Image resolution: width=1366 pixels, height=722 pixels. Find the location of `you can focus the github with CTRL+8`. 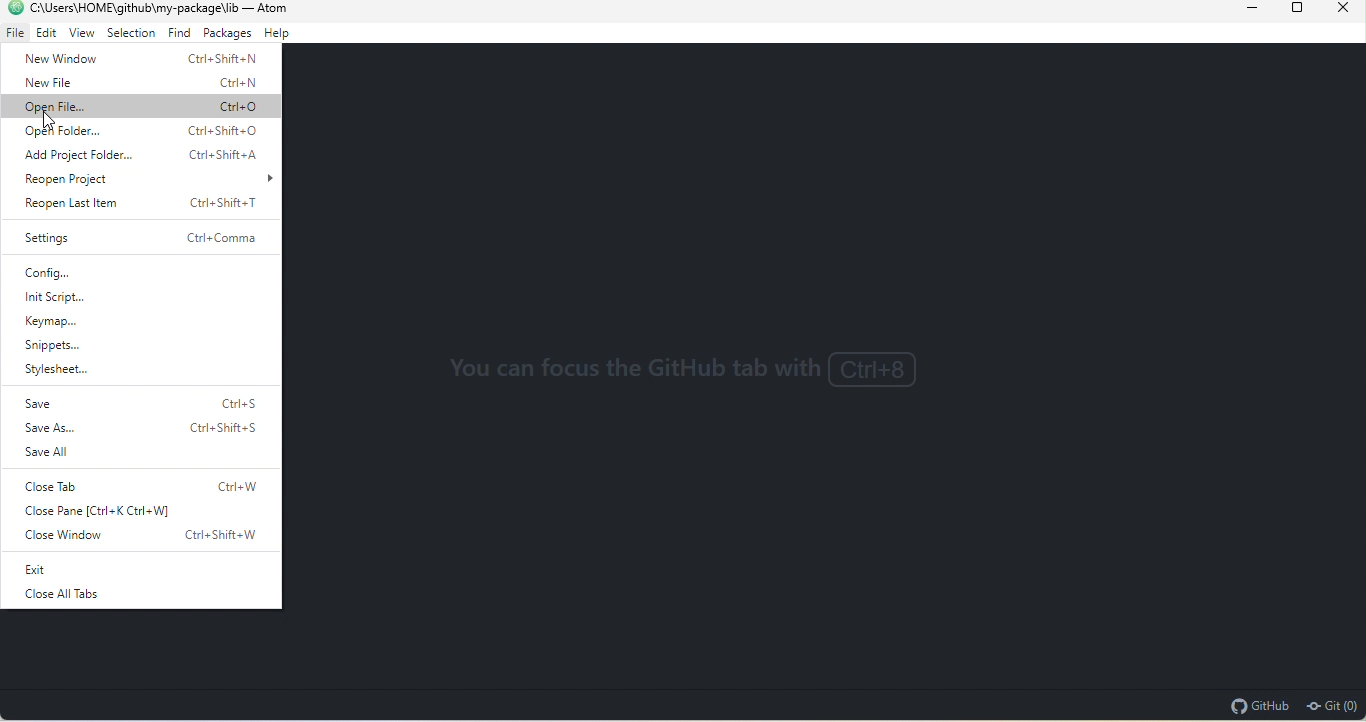

you can focus the github with CTRL+8 is located at coordinates (692, 372).